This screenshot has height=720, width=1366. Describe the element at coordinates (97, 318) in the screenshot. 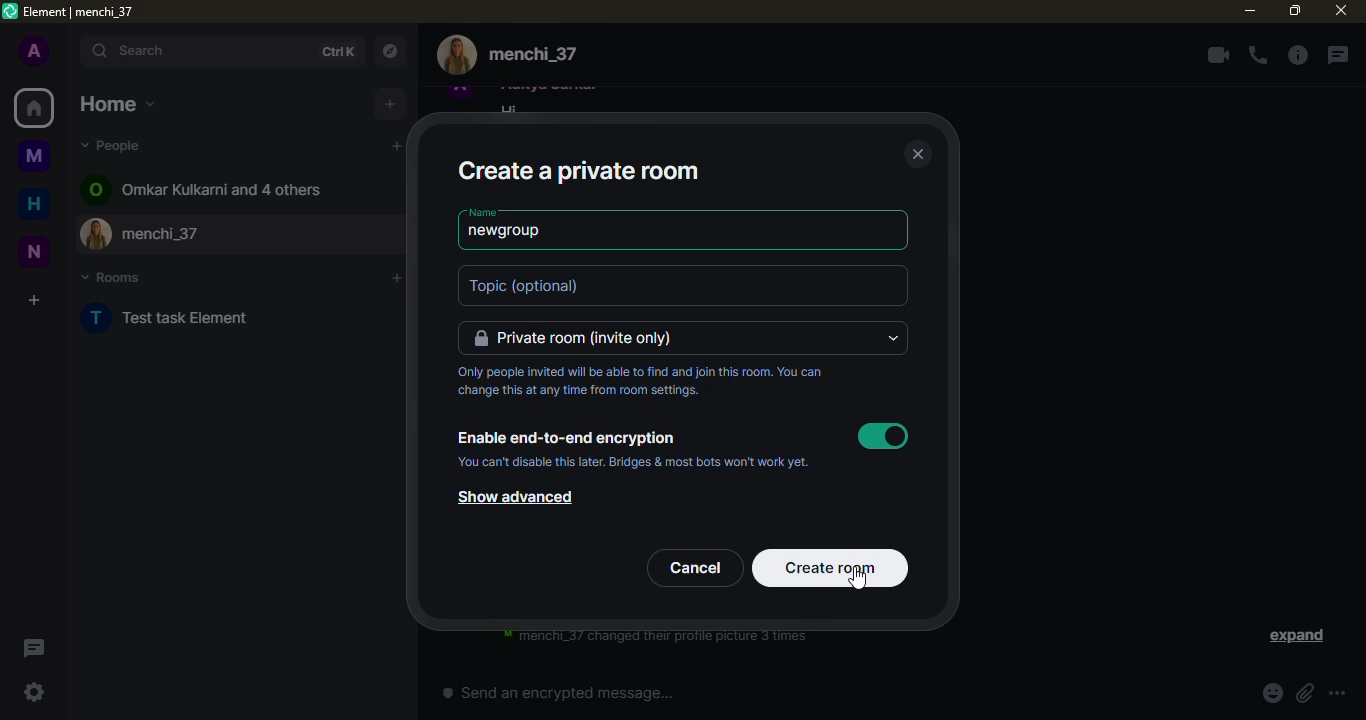

I see `Profile initial` at that location.